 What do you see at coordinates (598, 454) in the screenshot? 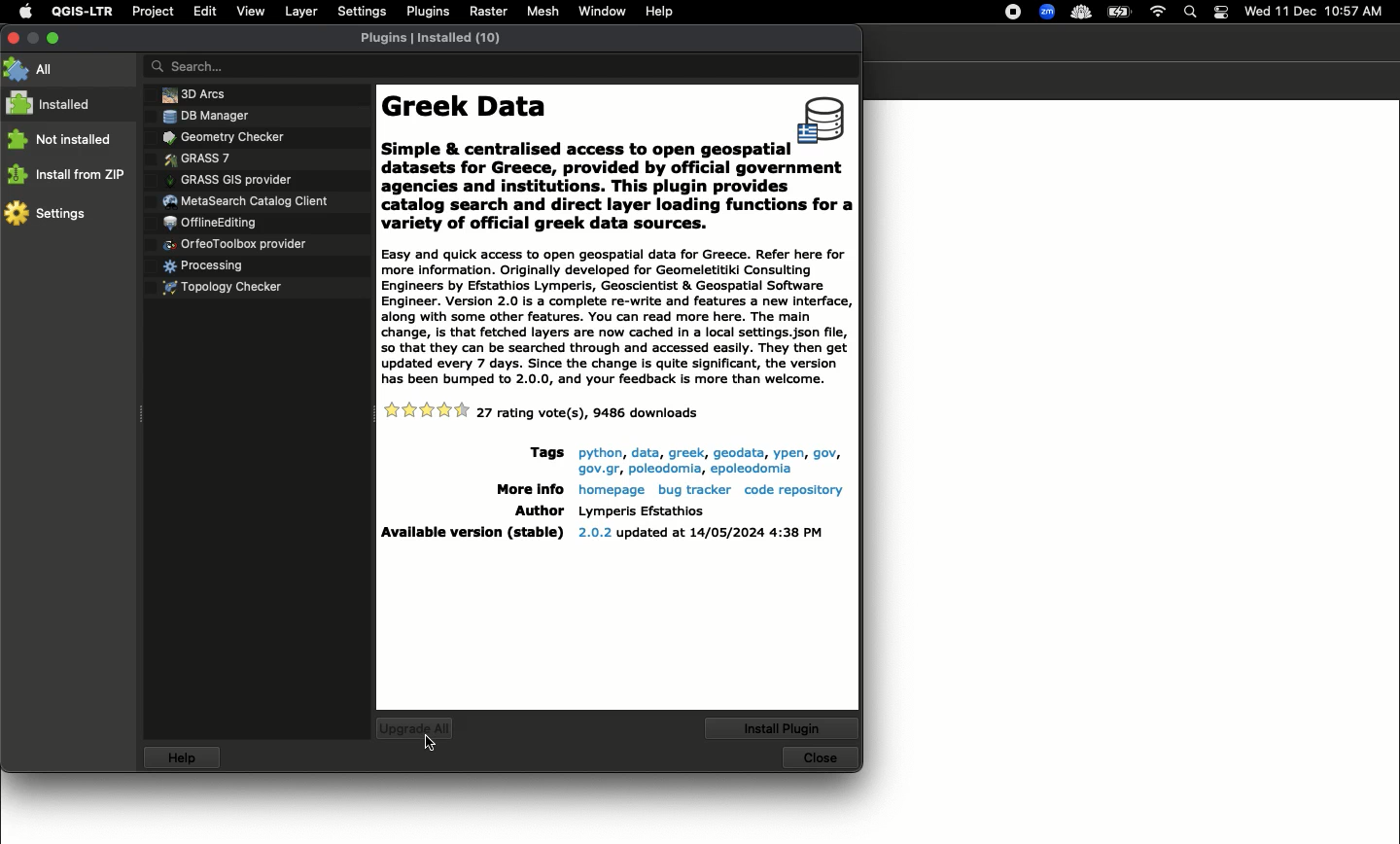
I see `python,` at bounding box center [598, 454].